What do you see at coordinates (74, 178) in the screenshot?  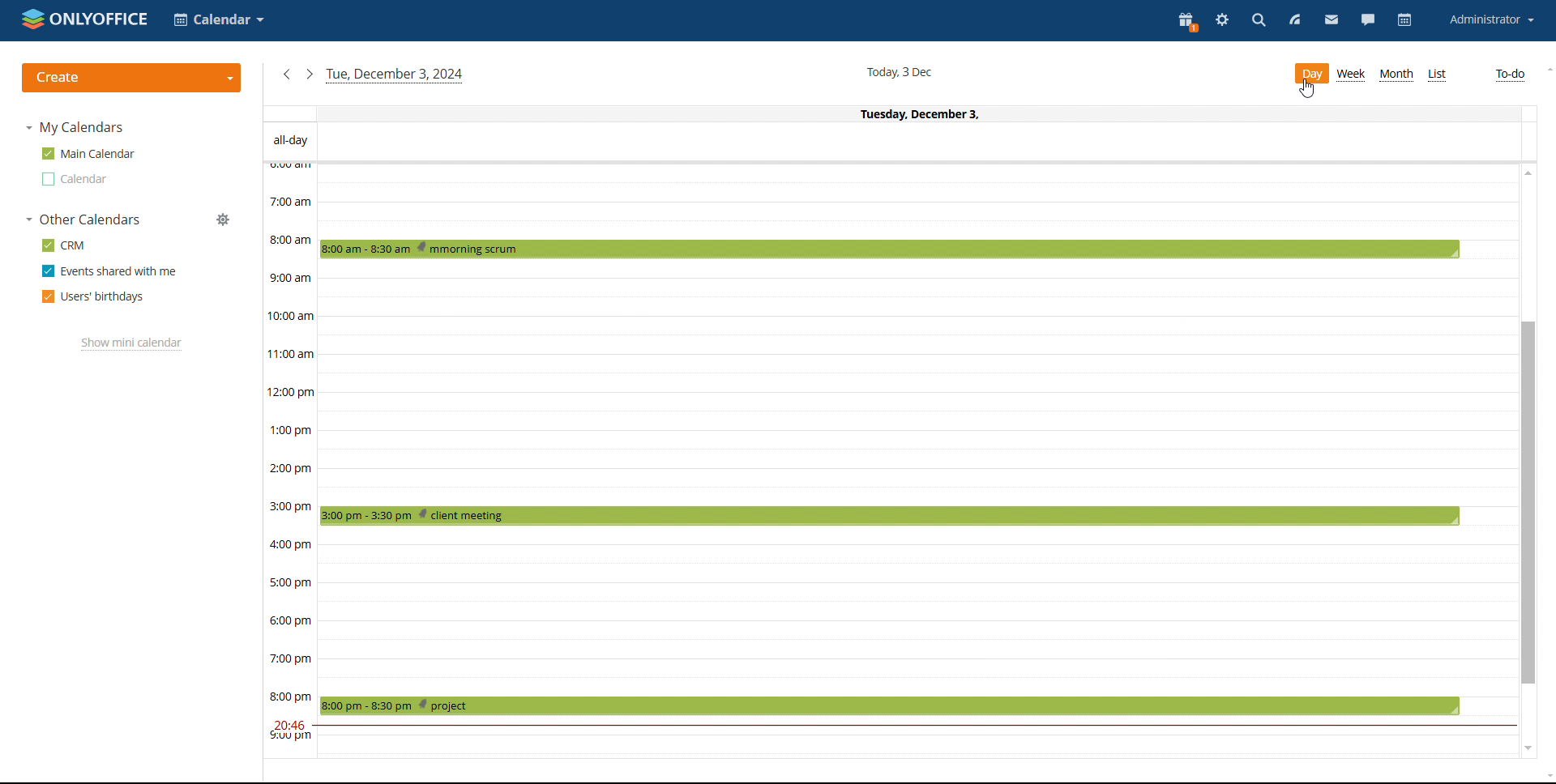 I see `calendar` at bounding box center [74, 178].